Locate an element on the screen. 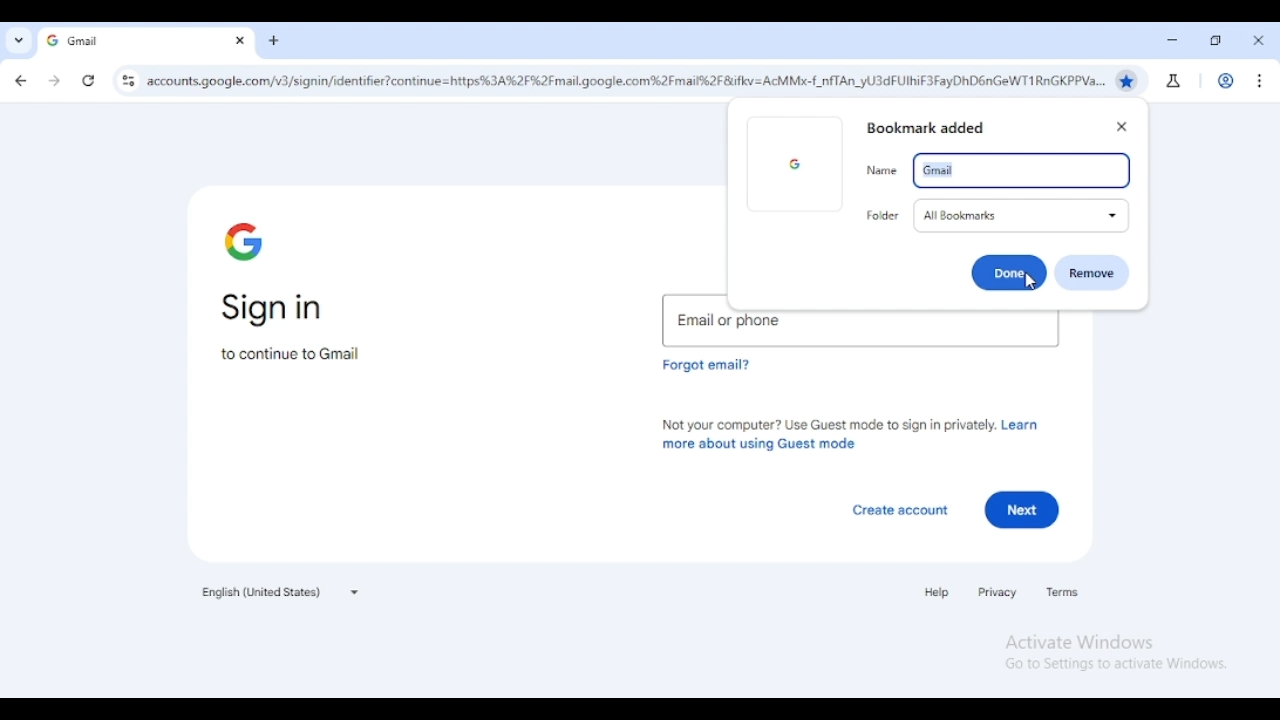 The image size is (1280, 720). email or phone is located at coordinates (861, 323).